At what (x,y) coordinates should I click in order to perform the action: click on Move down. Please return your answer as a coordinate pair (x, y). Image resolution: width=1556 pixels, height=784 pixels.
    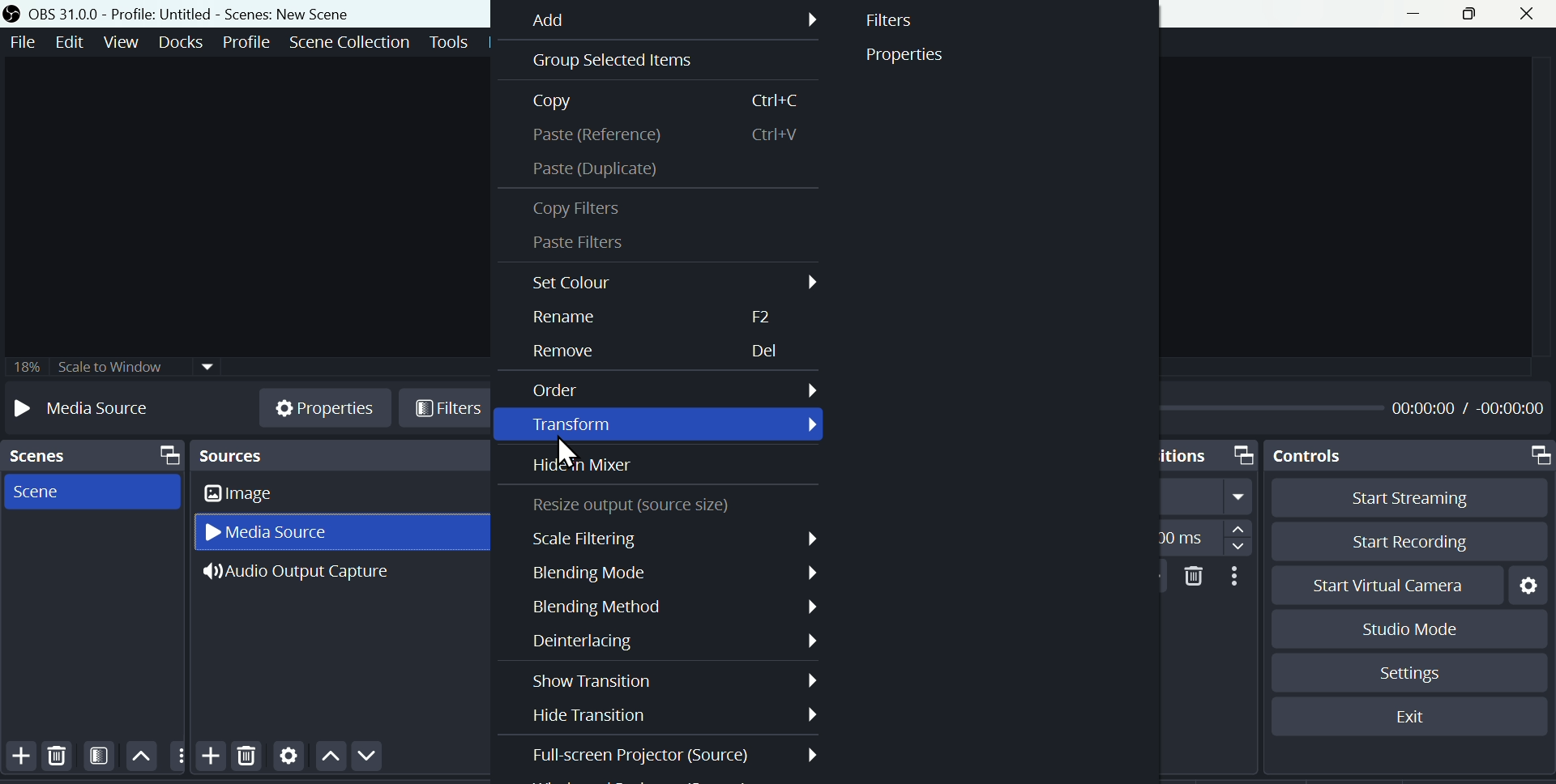
    Looking at the image, I should click on (361, 758).